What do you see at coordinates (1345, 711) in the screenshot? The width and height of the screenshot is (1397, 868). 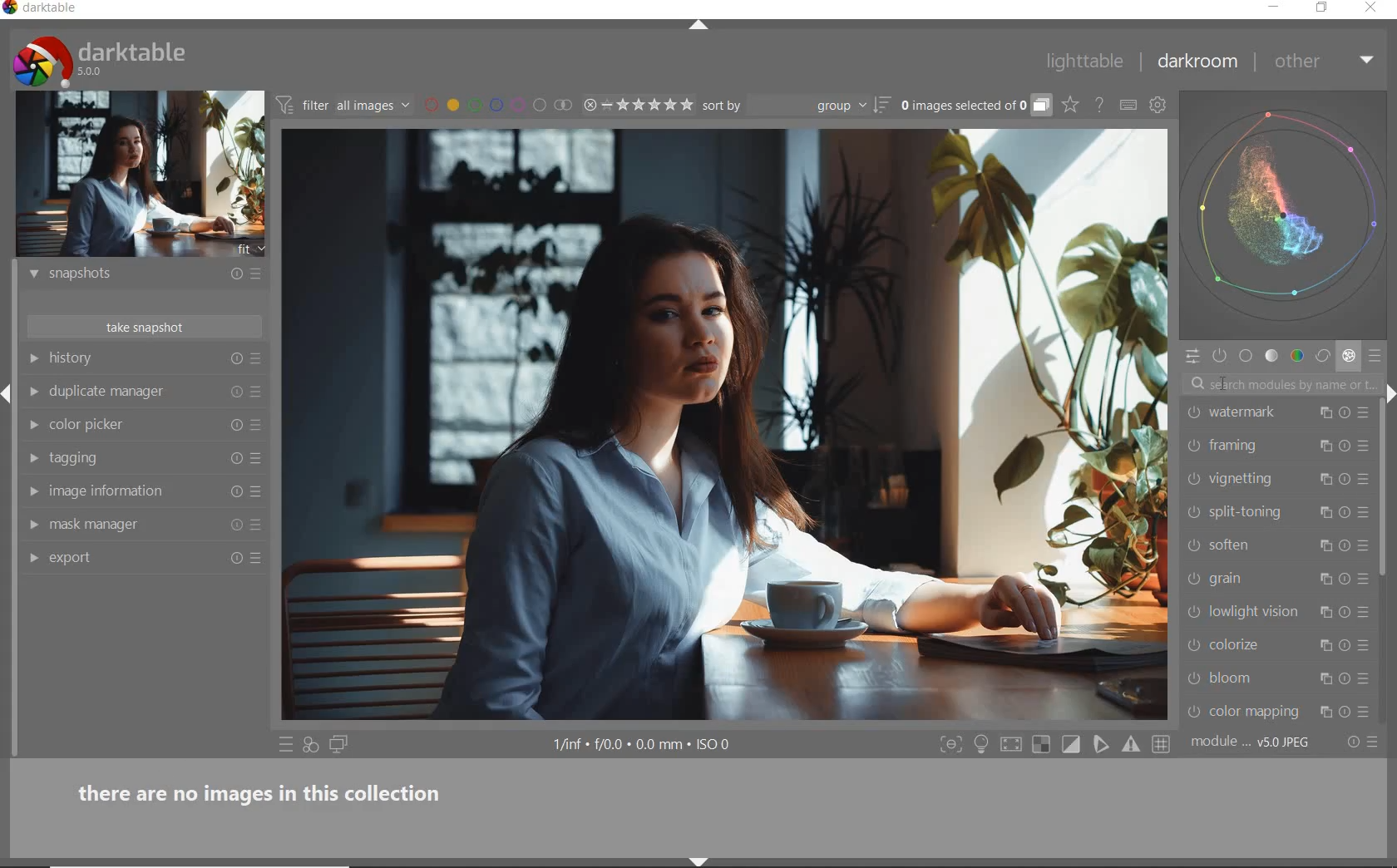 I see `reset` at bounding box center [1345, 711].